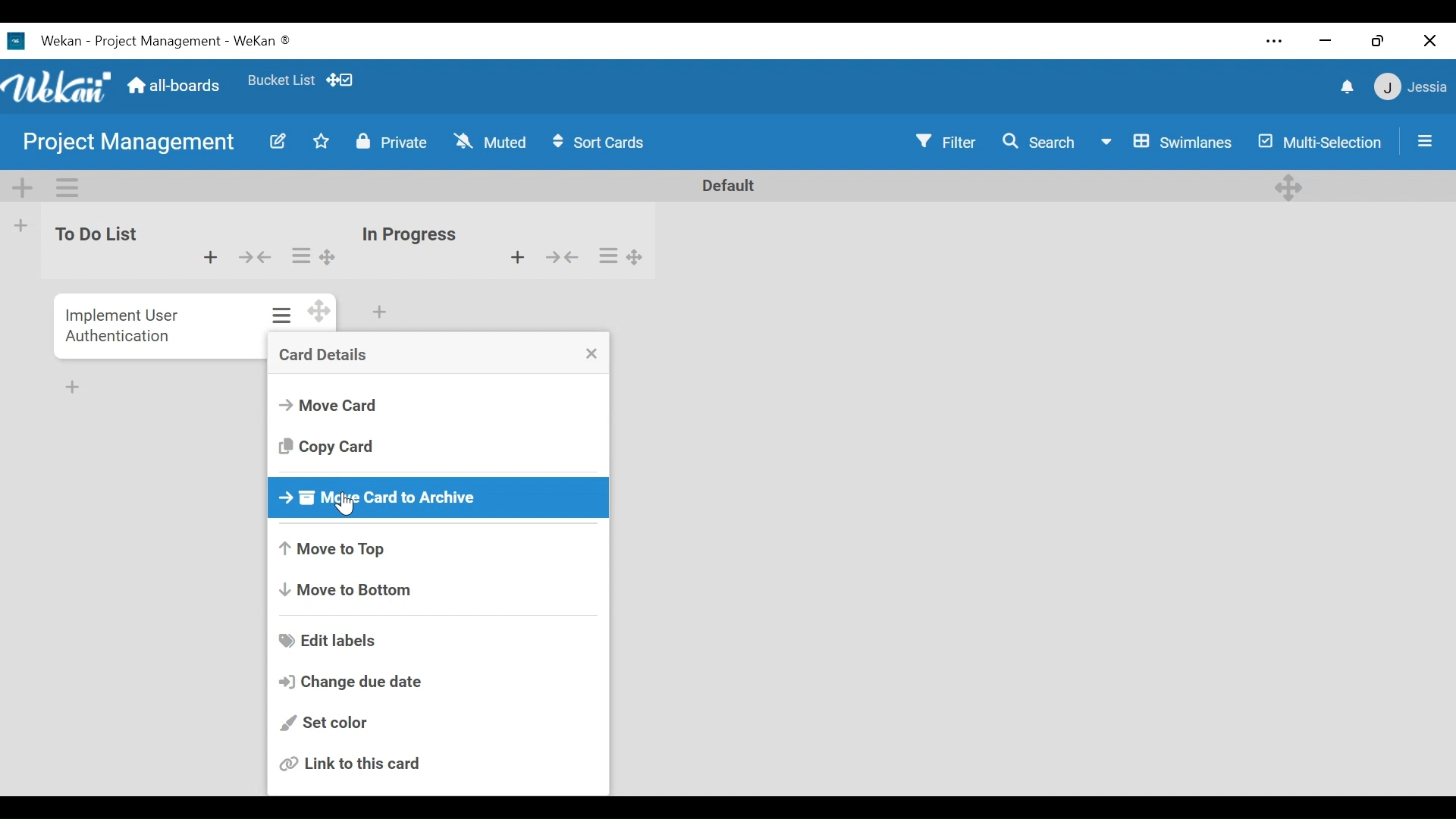 The height and width of the screenshot is (819, 1456). Describe the element at coordinates (626, 256) in the screenshot. I see `options` at that location.